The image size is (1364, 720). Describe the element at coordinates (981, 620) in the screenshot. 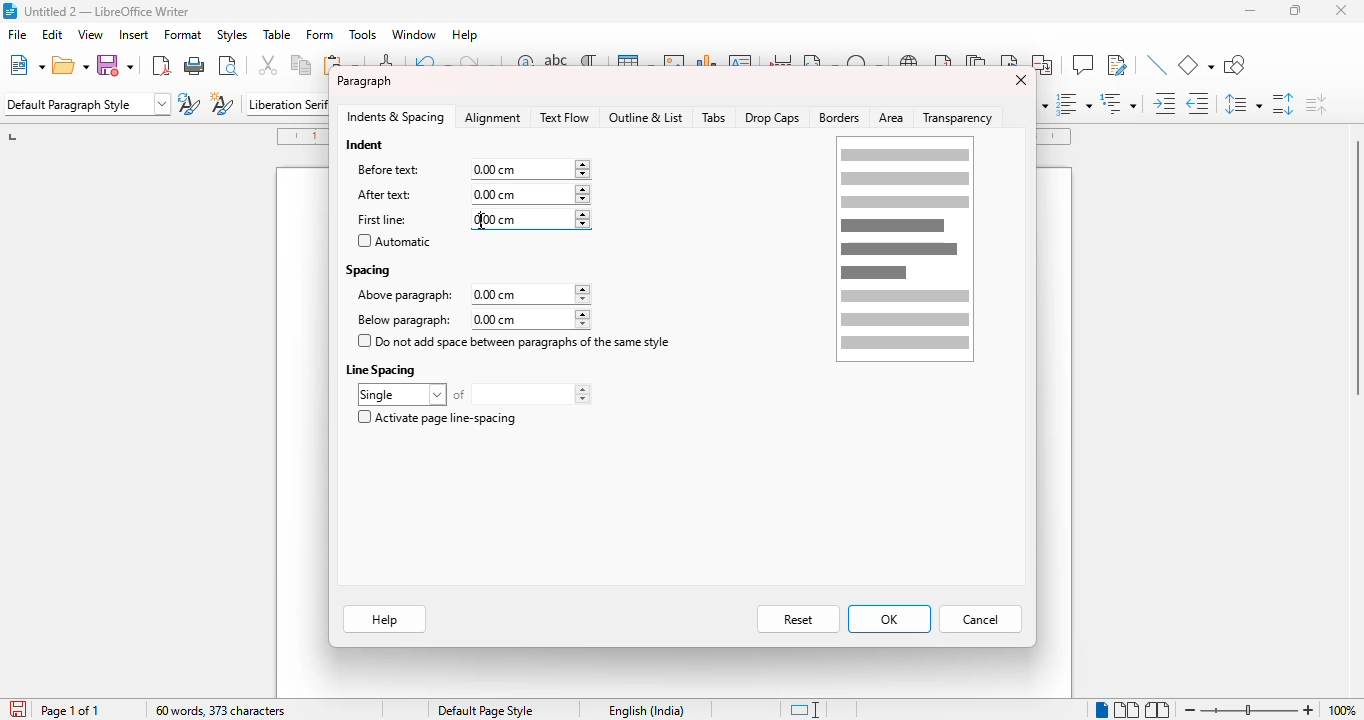

I see `cancel` at that location.